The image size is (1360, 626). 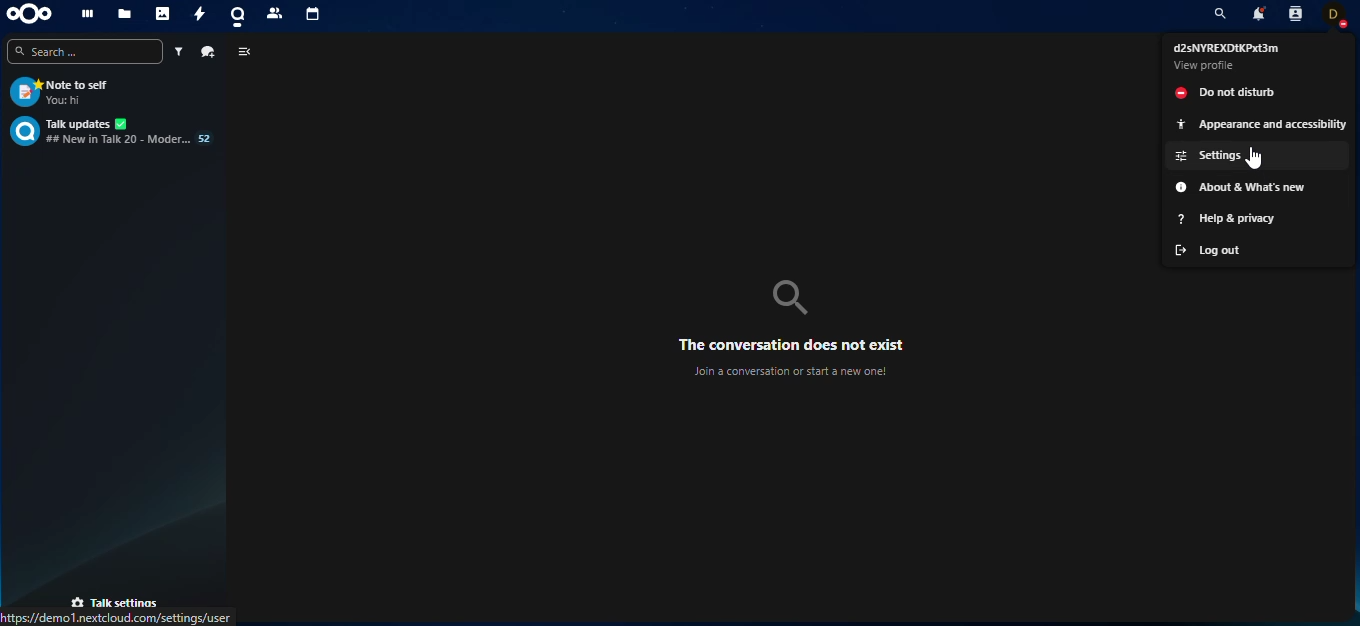 What do you see at coordinates (1258, 187) in the screenshot?
I see `About & What's new` at bounding box center [1258, 187].